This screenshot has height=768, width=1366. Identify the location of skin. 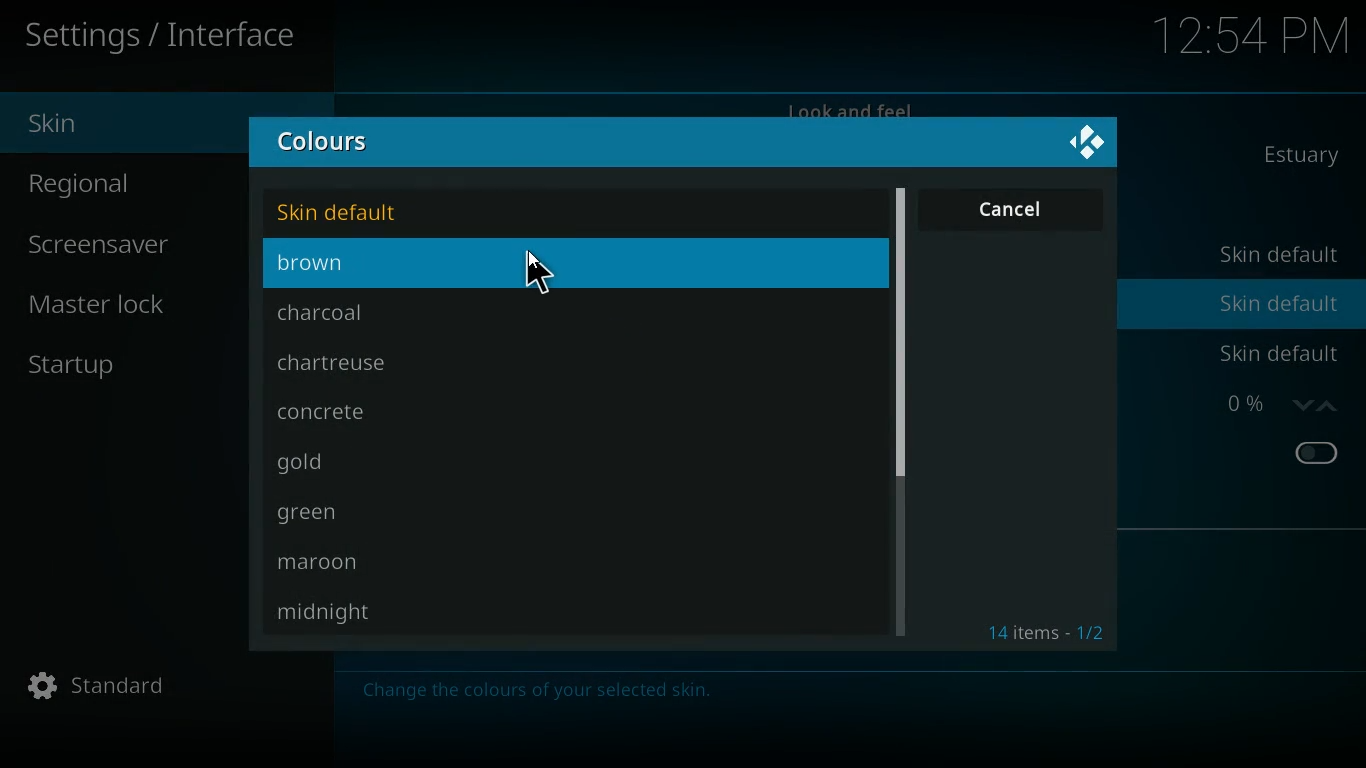
(131, 121).